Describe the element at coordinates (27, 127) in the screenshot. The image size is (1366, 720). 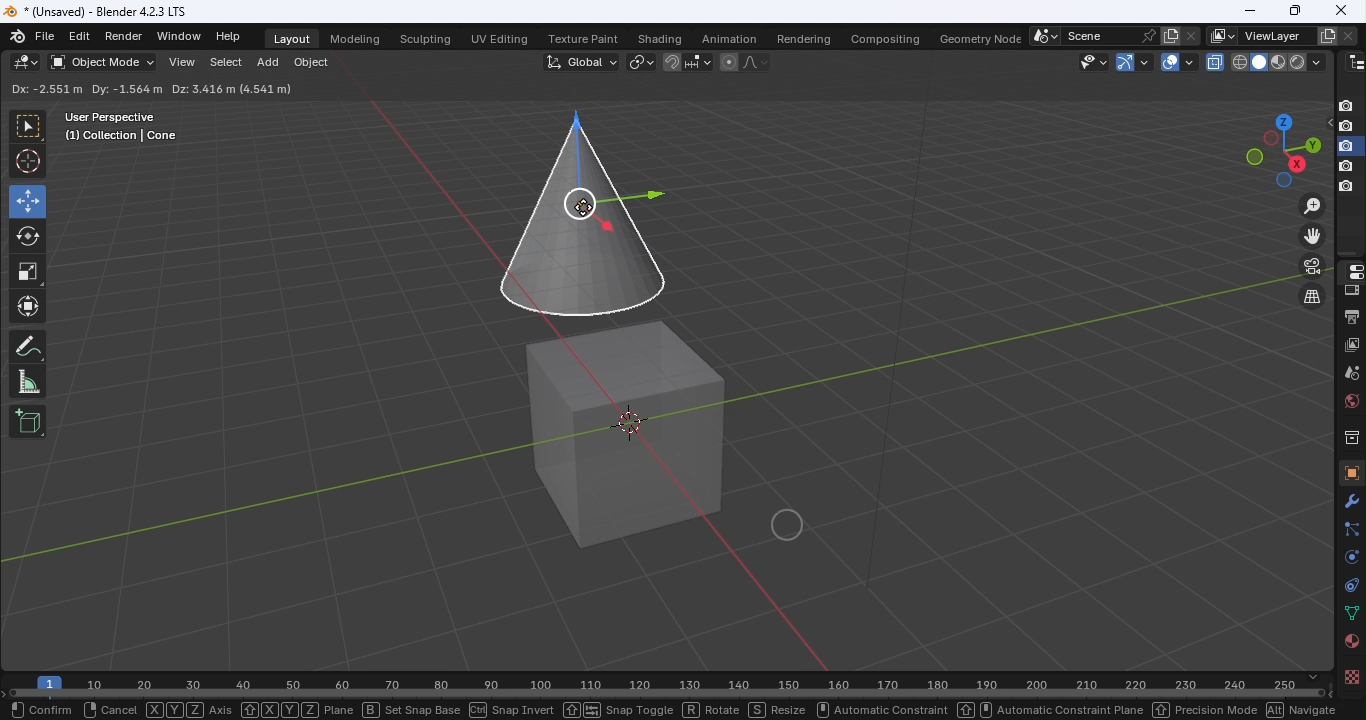
I see `Select box` at that location.